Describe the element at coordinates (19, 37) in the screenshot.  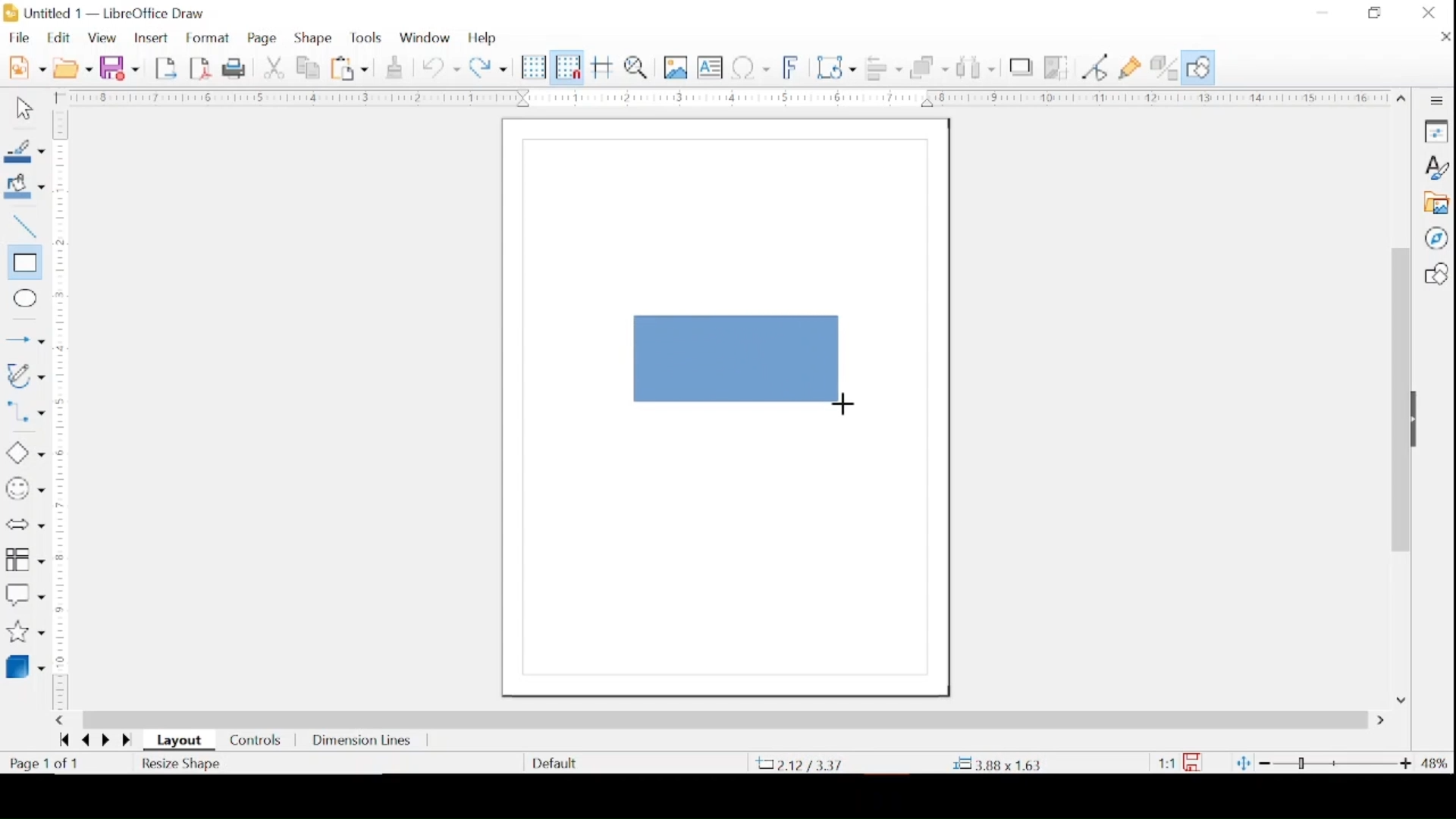
I see `file` at that location.